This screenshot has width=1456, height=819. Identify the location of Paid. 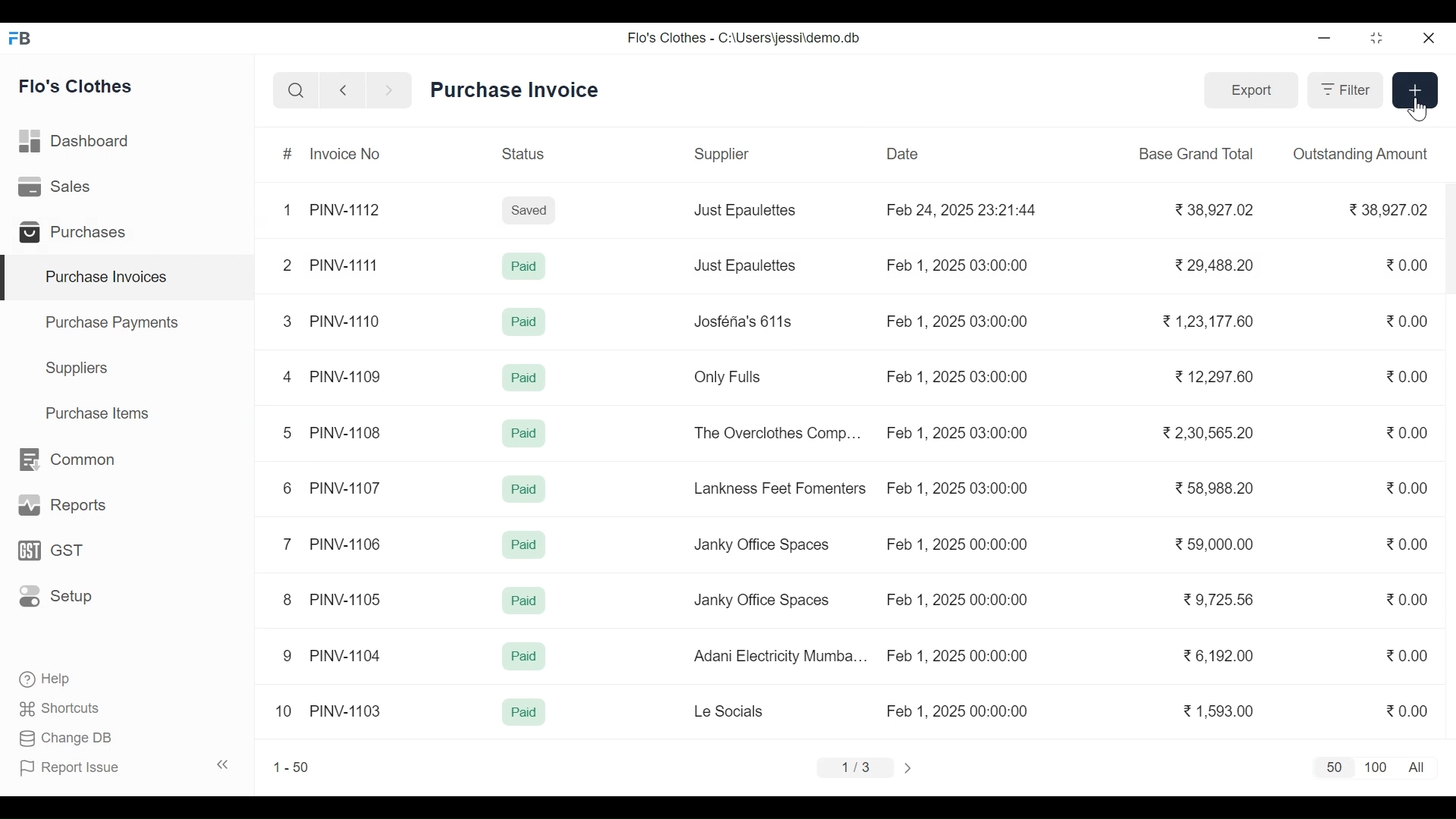
(522, 322).